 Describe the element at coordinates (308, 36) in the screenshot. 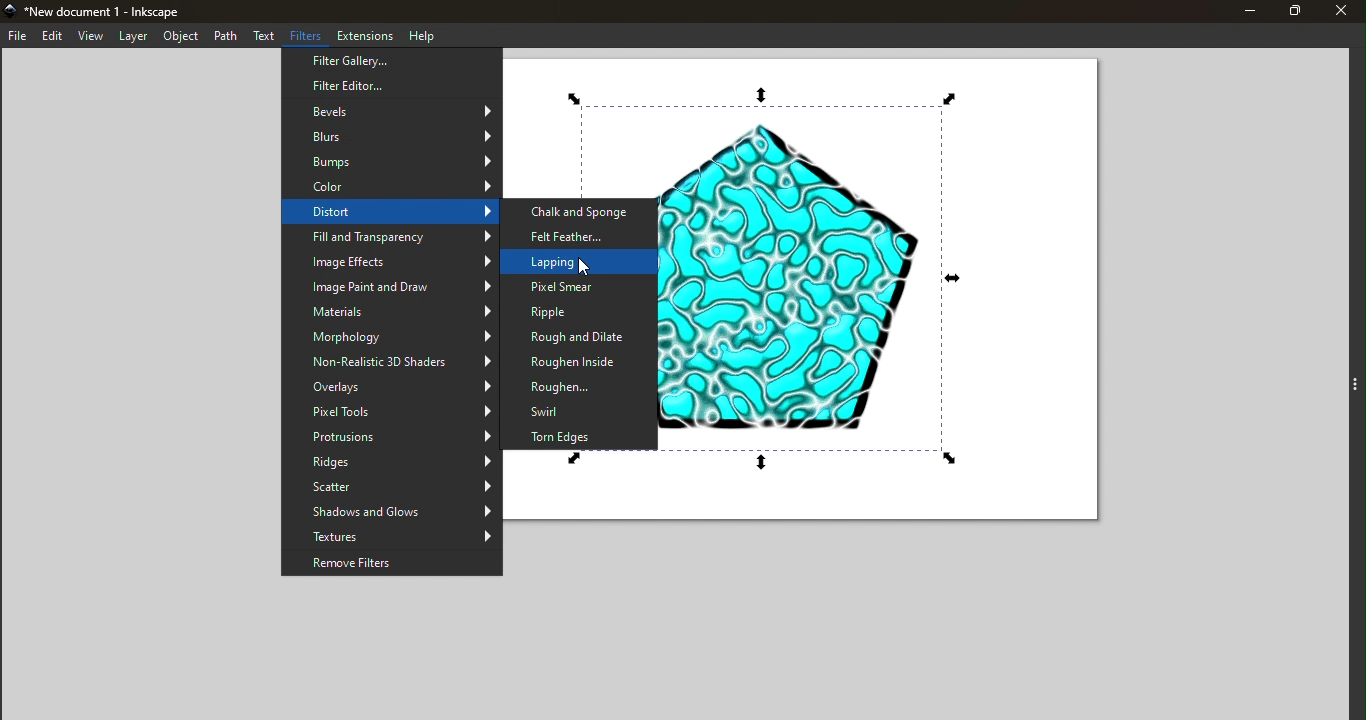

I see `Filters` at that location.